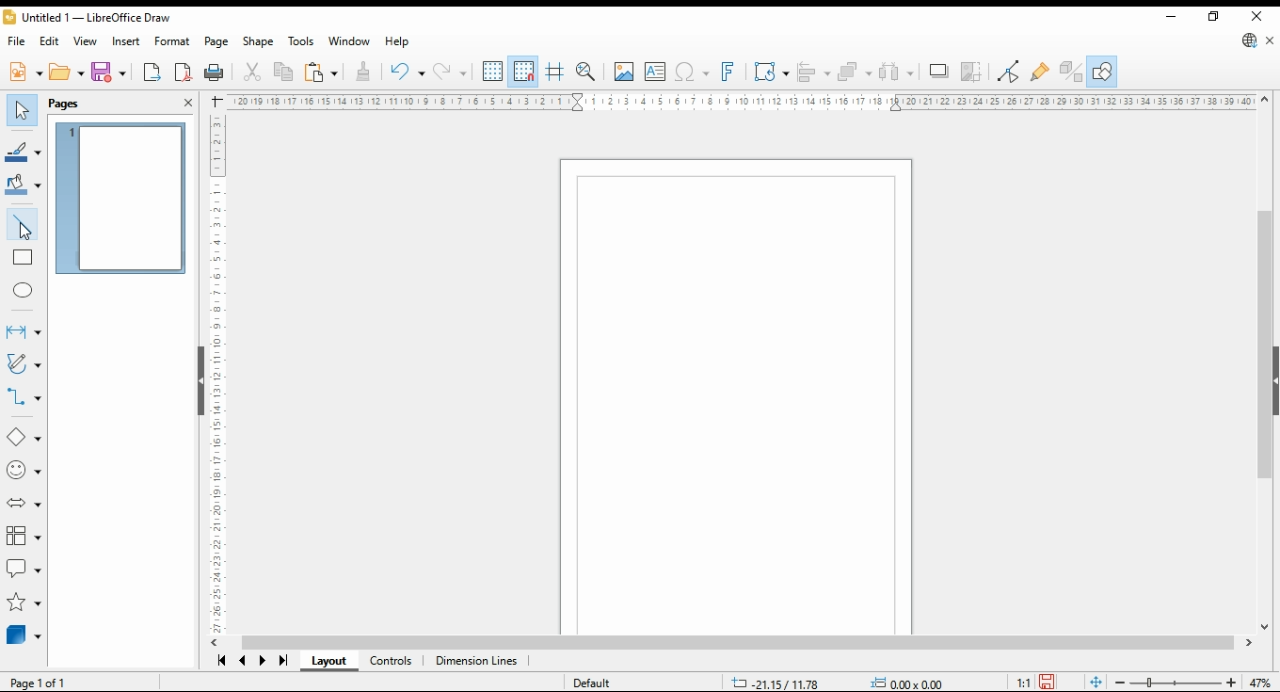 The height and width of the screenshot is (692, 1280). I want to click on export, so click(153, 73).